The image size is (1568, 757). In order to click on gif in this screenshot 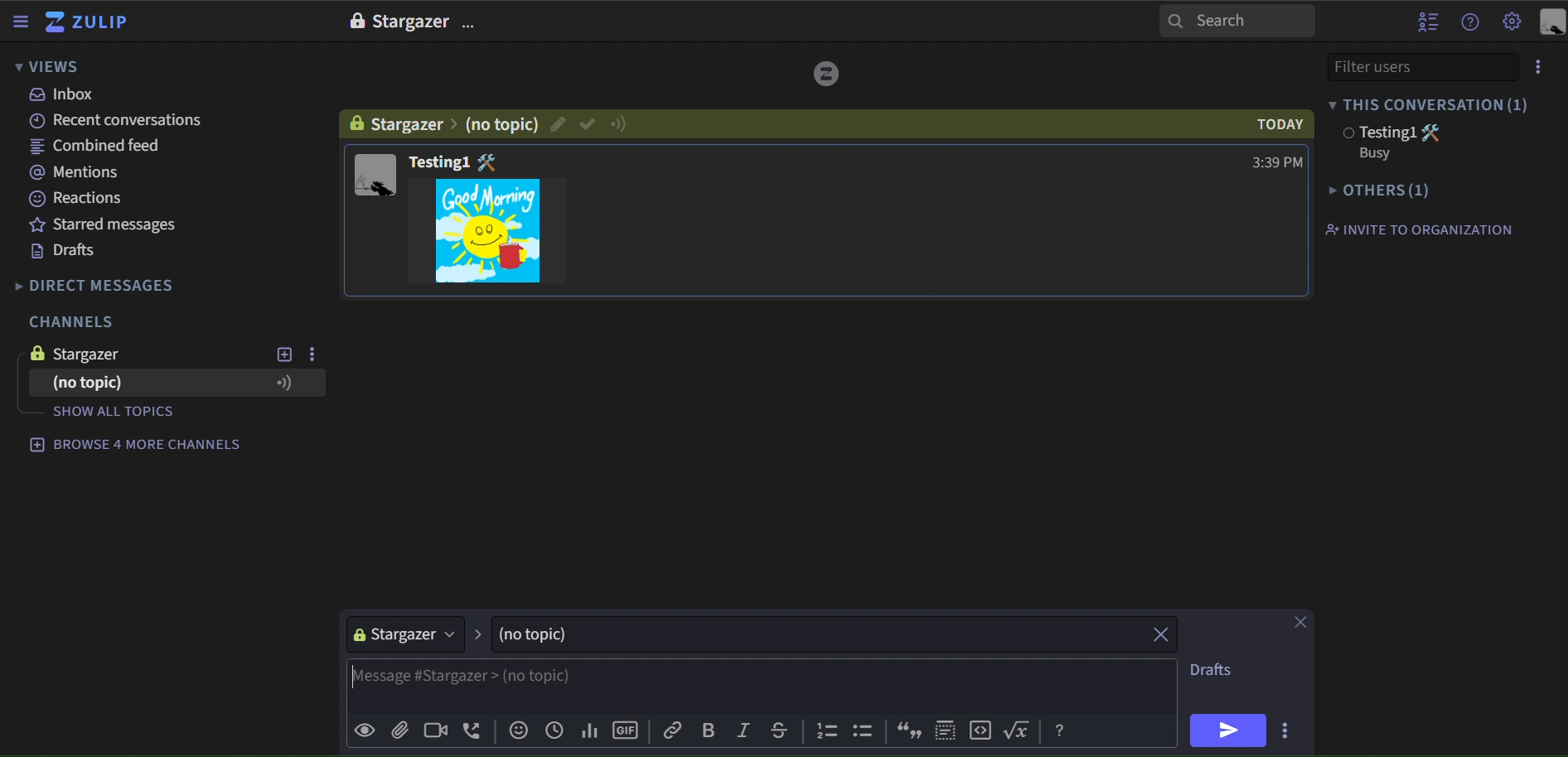, I will do `click(488, 231)`.